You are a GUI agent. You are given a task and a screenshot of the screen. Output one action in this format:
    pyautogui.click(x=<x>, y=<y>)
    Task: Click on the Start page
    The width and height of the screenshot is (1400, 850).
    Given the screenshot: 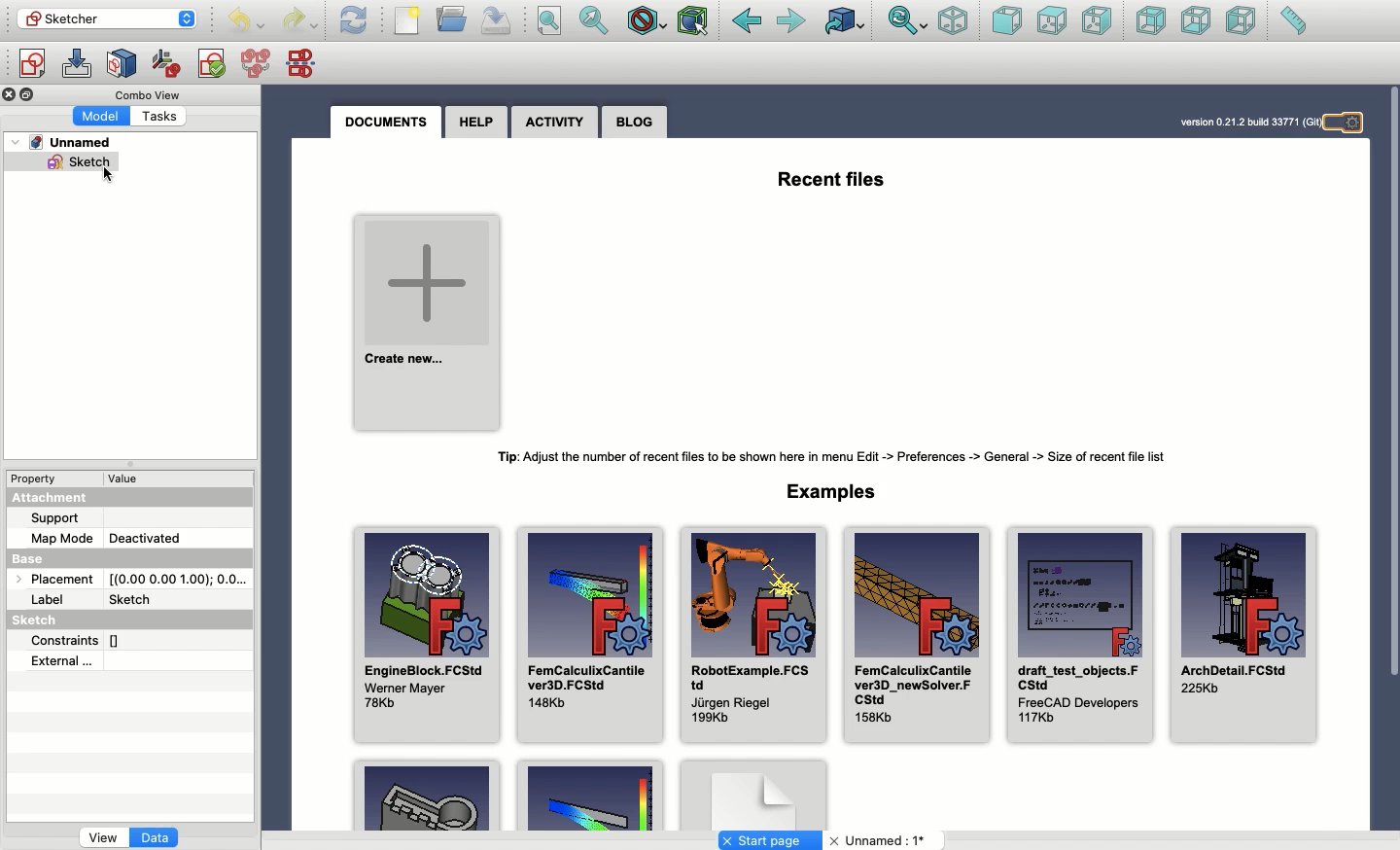 What is the action you would take?
    pyautogui.click(x=770, y=840)
    